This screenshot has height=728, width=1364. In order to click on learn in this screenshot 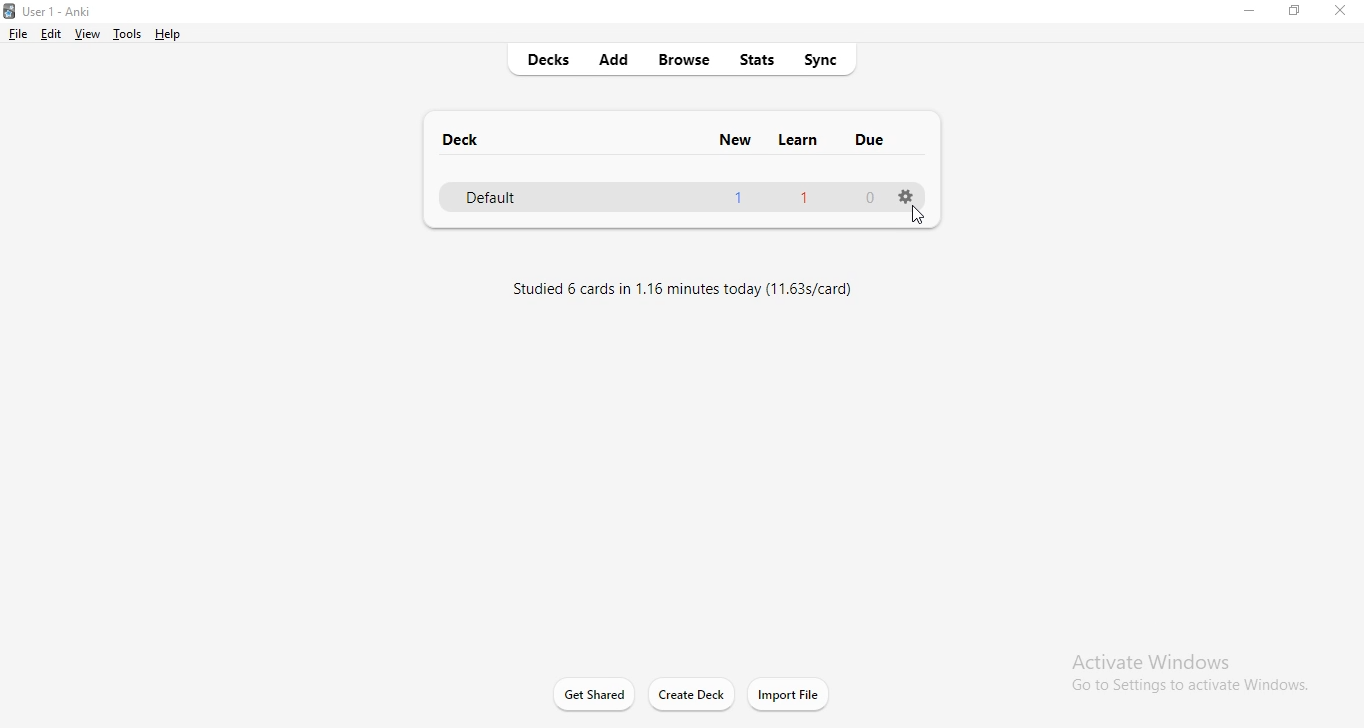, I will do `click(797, 142)`.